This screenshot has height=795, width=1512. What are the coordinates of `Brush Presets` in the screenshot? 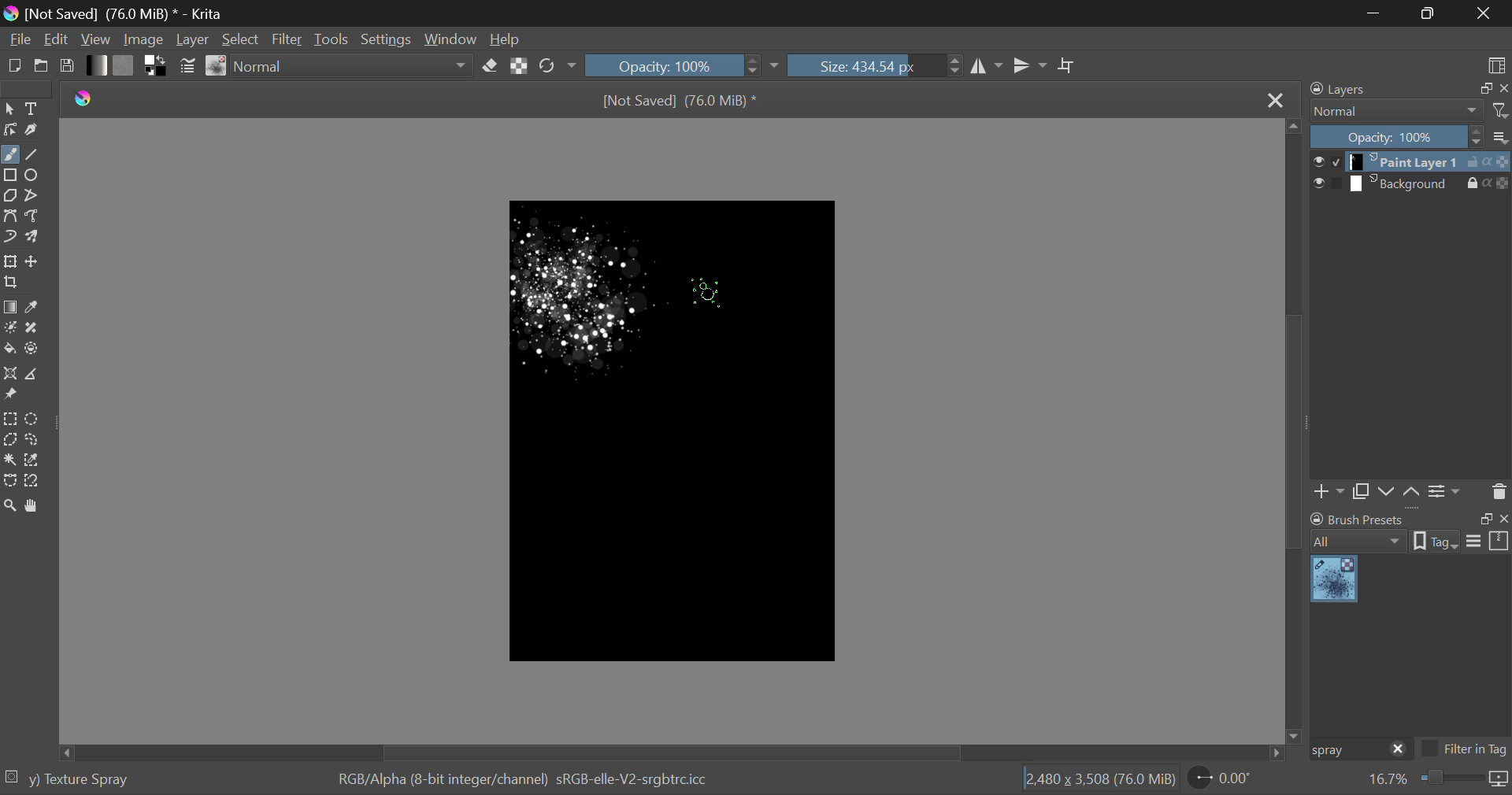 It's located at (217, 66).